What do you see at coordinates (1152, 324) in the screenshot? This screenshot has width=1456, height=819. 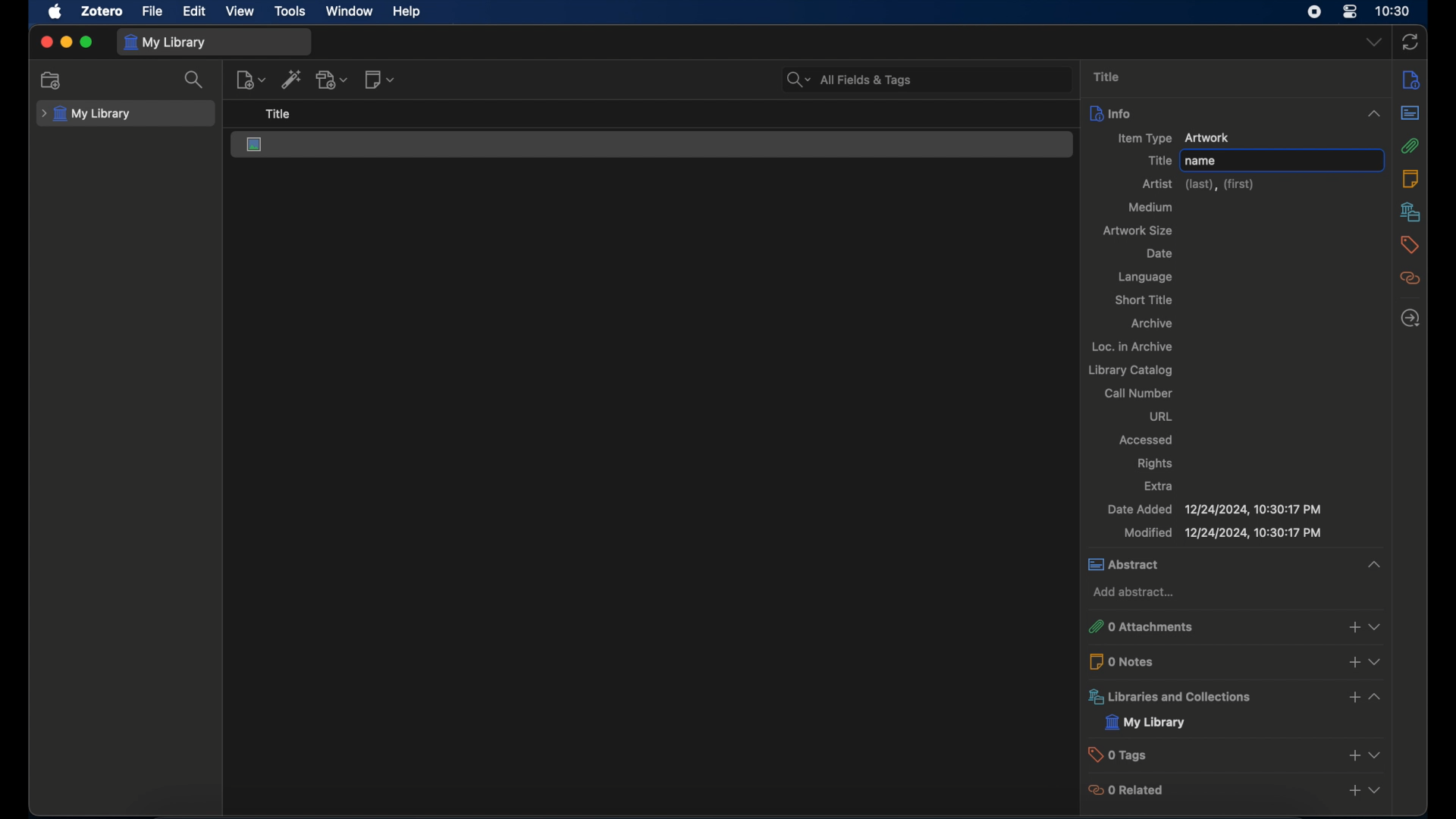 I see `archive` at bounding box center [1152, 324].